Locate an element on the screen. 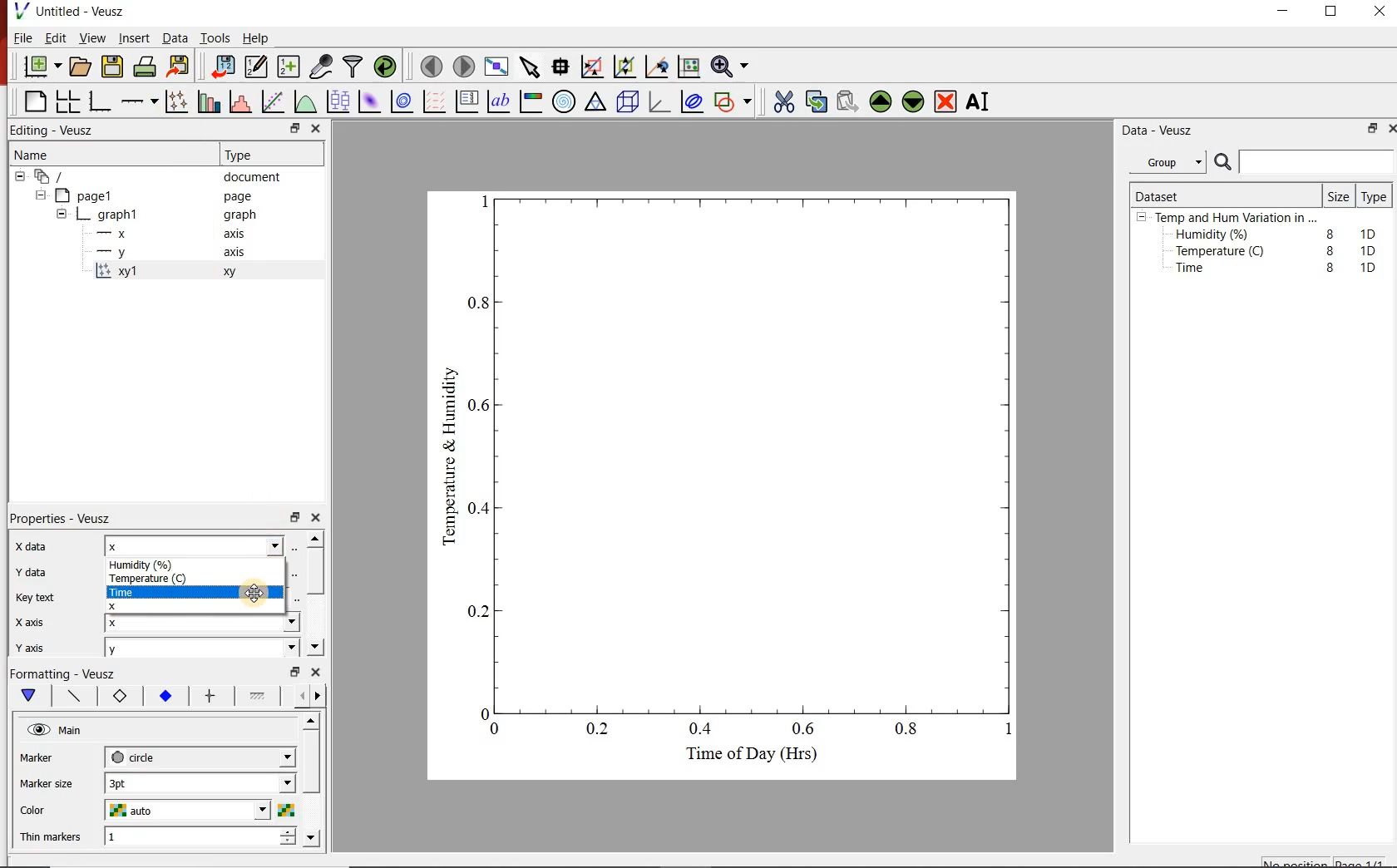 This screenshot has width=1397, height=868. plot line is located at coordinates (75, 697).